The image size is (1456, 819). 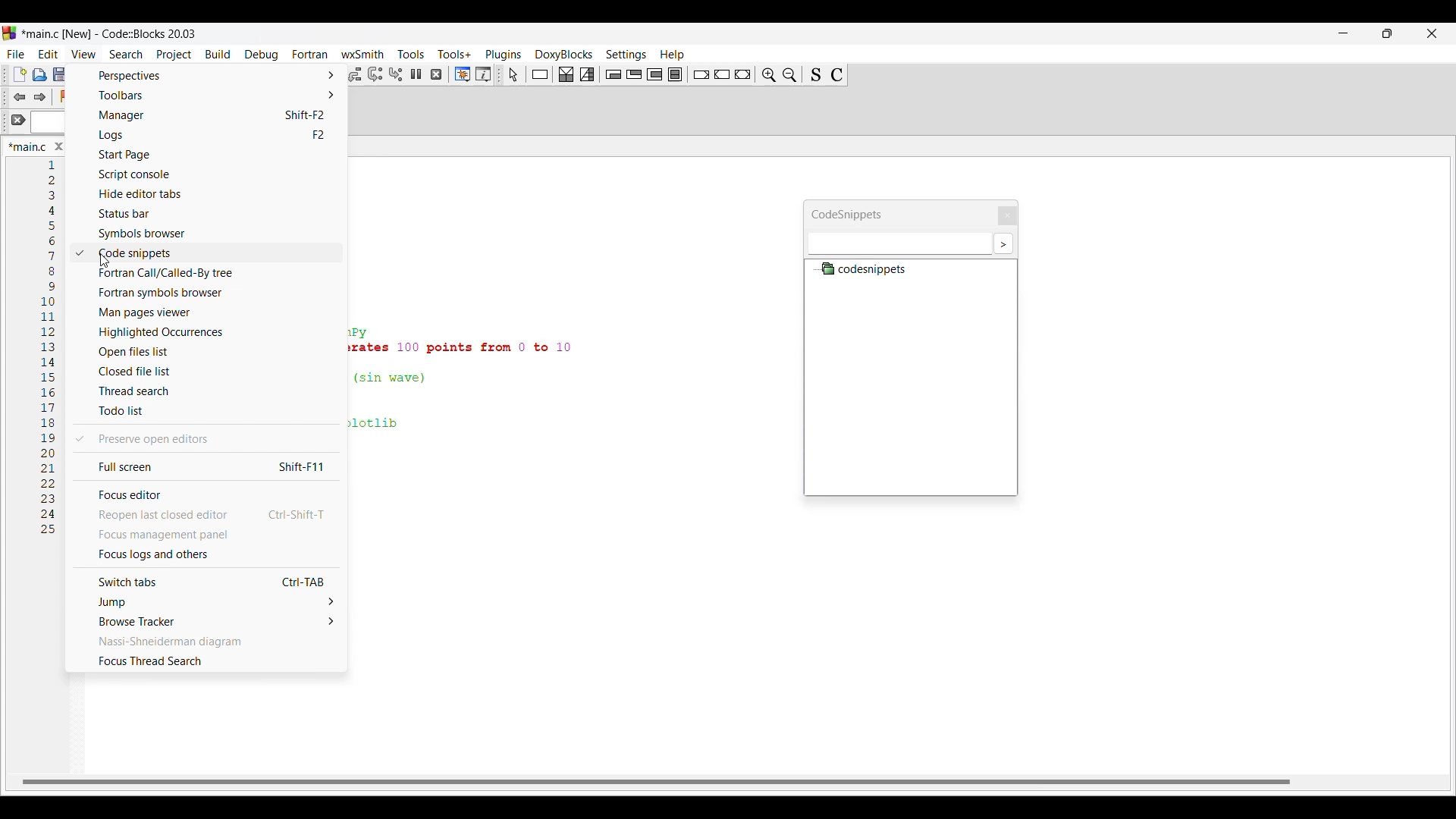 What do you see at coordinates (613, 74) in the screenshot?
I see `Entry condition loop` at bounding box center [613, 74].